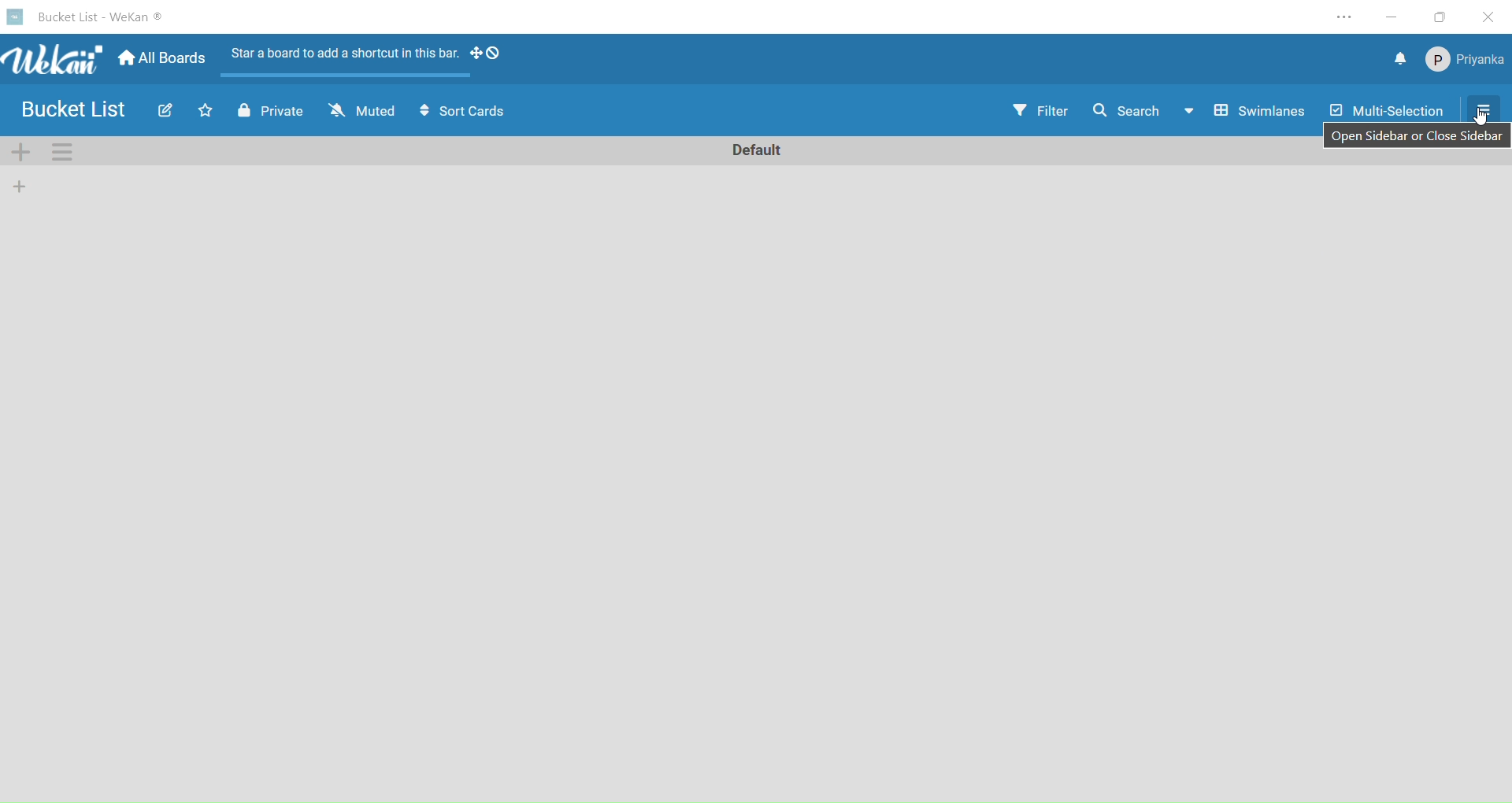  Describe the element at coordinates (164, 58) in the screenshot. I see `home` at that location.